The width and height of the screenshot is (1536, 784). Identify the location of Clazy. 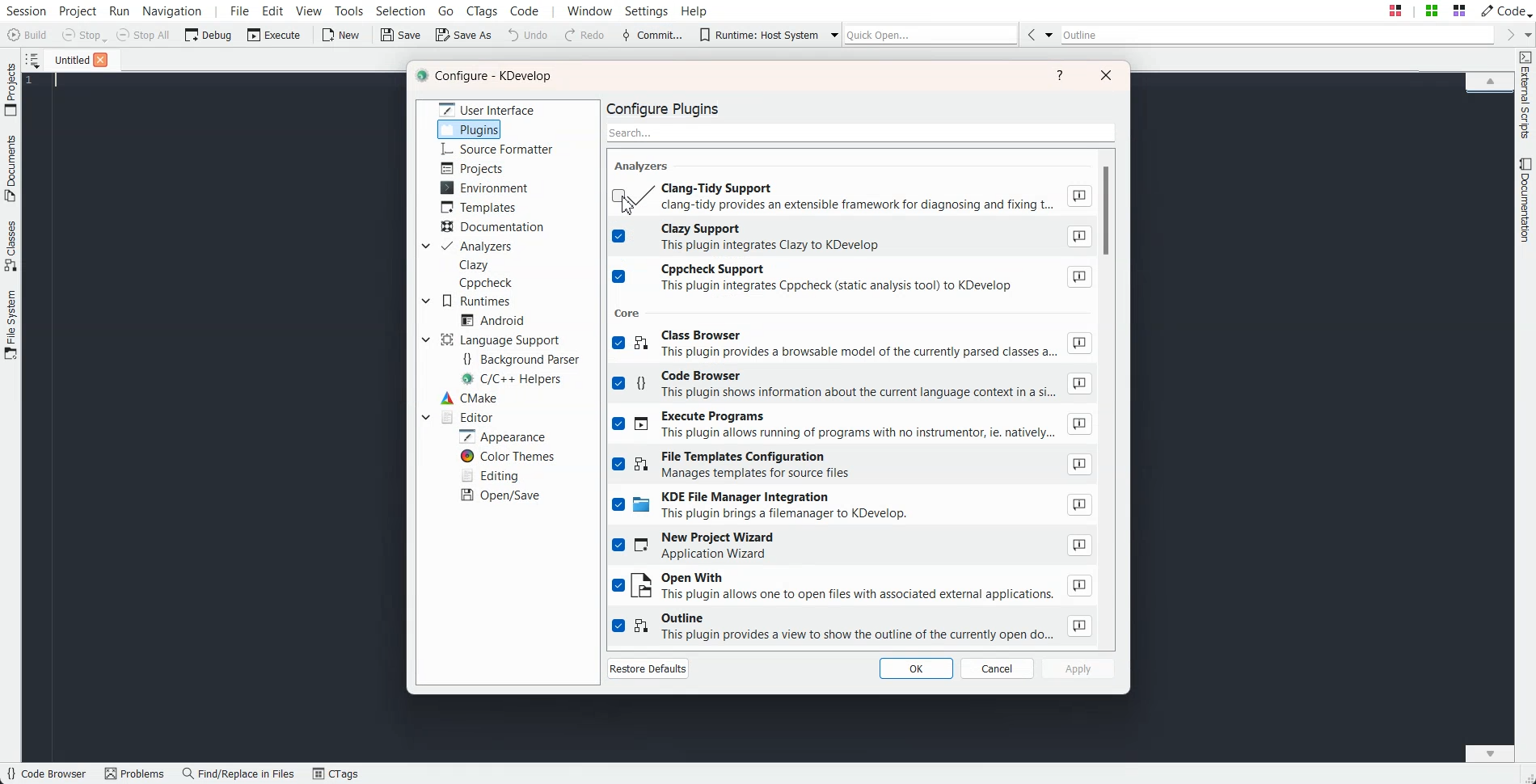
(475, 265).